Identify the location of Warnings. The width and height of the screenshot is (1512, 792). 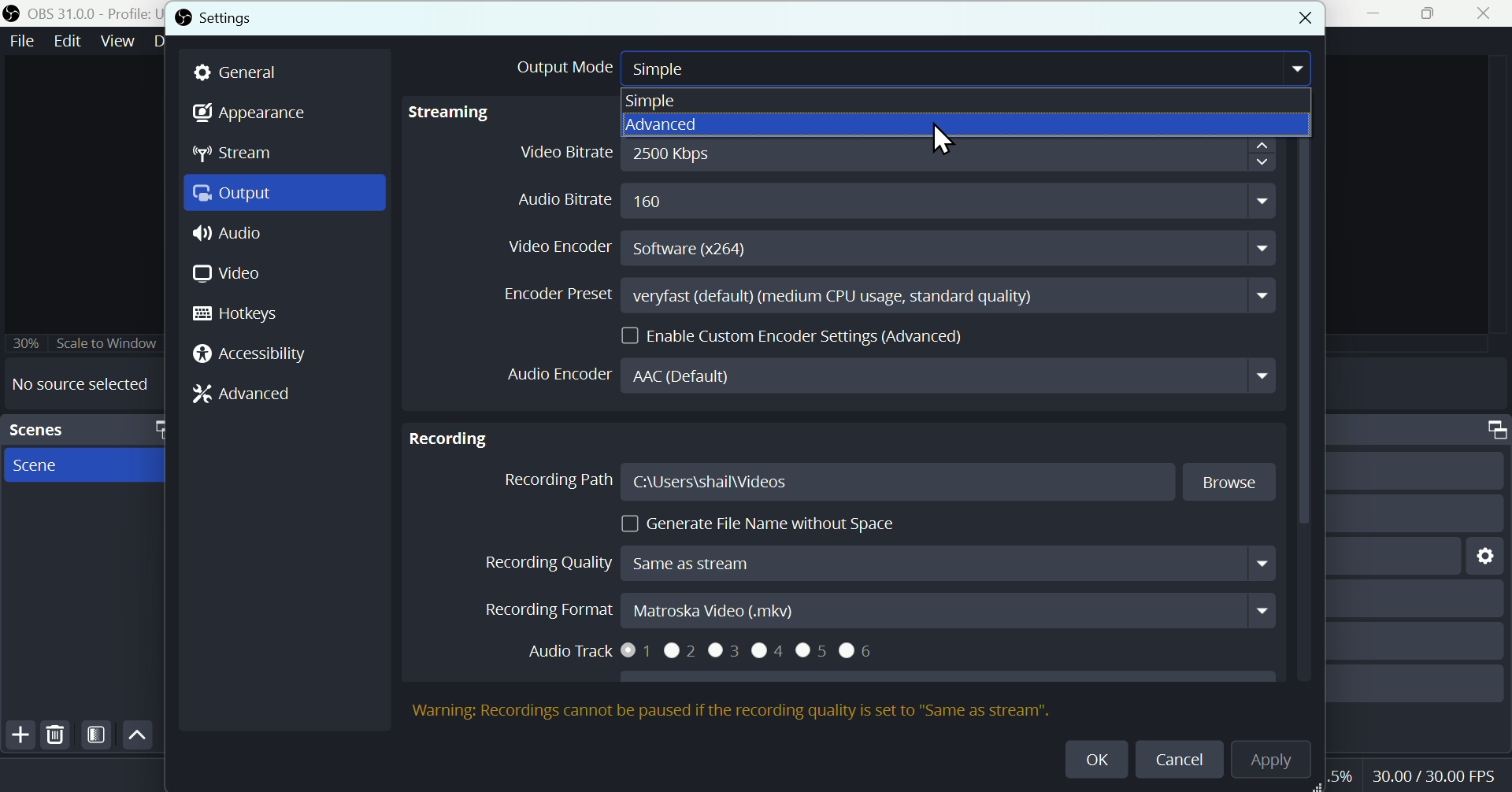
(732, 711).